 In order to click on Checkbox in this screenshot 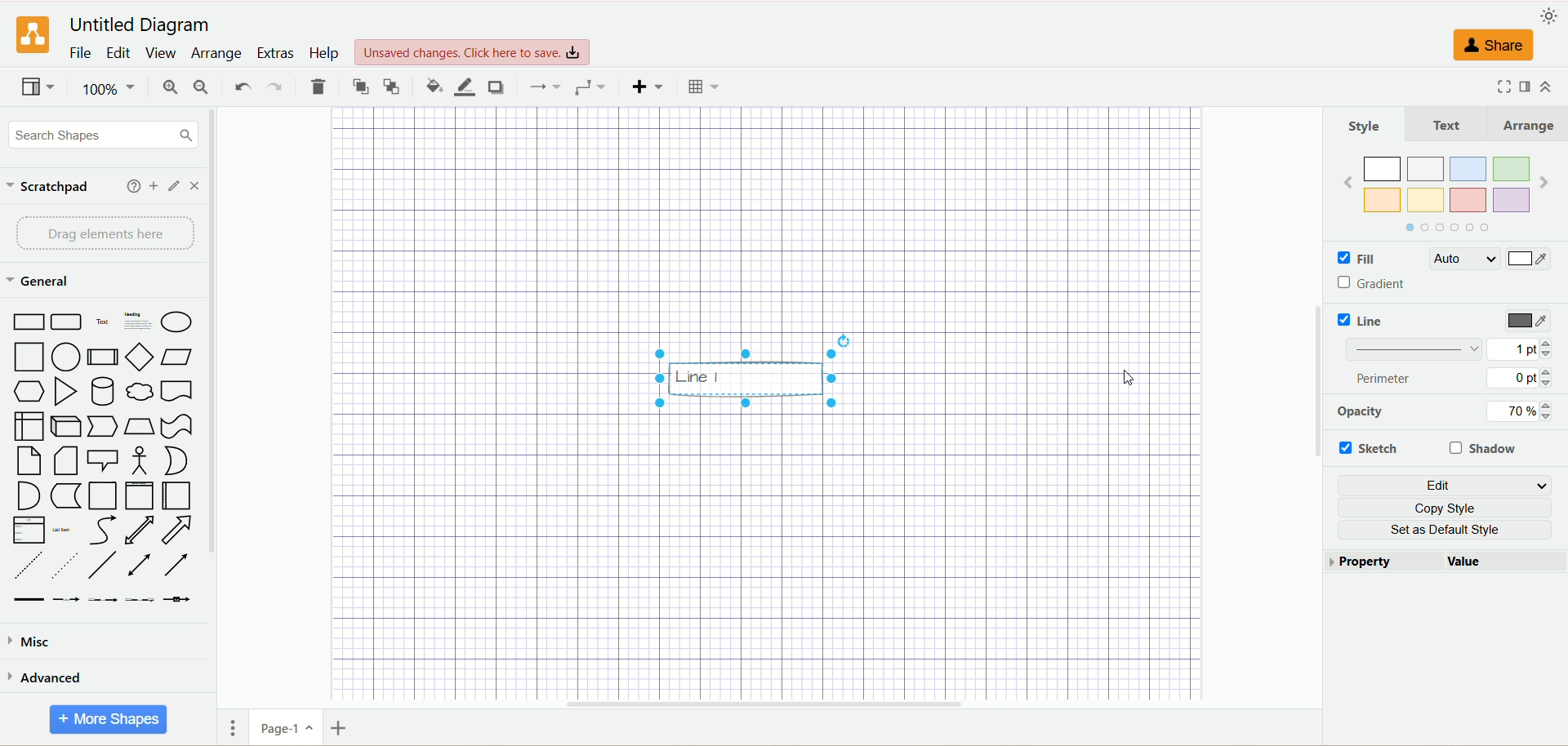, I will do `click(1339, 260)`.